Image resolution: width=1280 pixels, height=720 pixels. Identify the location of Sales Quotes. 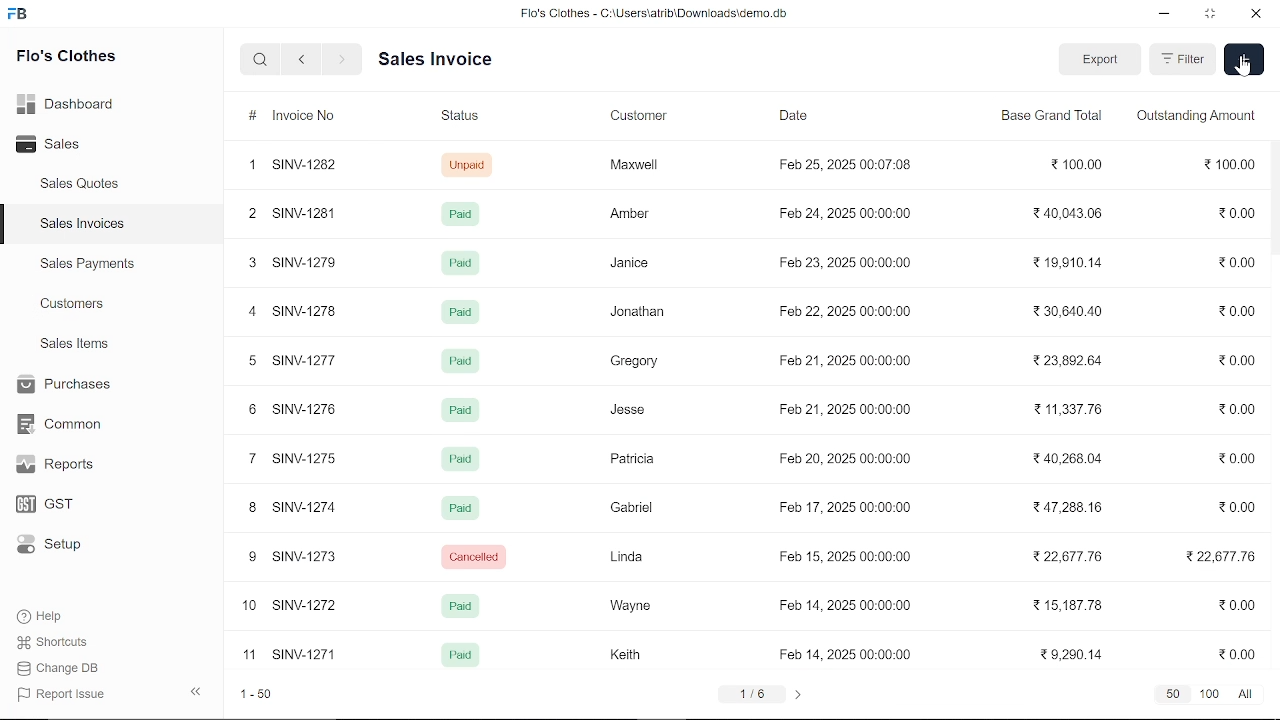
(82, 185).